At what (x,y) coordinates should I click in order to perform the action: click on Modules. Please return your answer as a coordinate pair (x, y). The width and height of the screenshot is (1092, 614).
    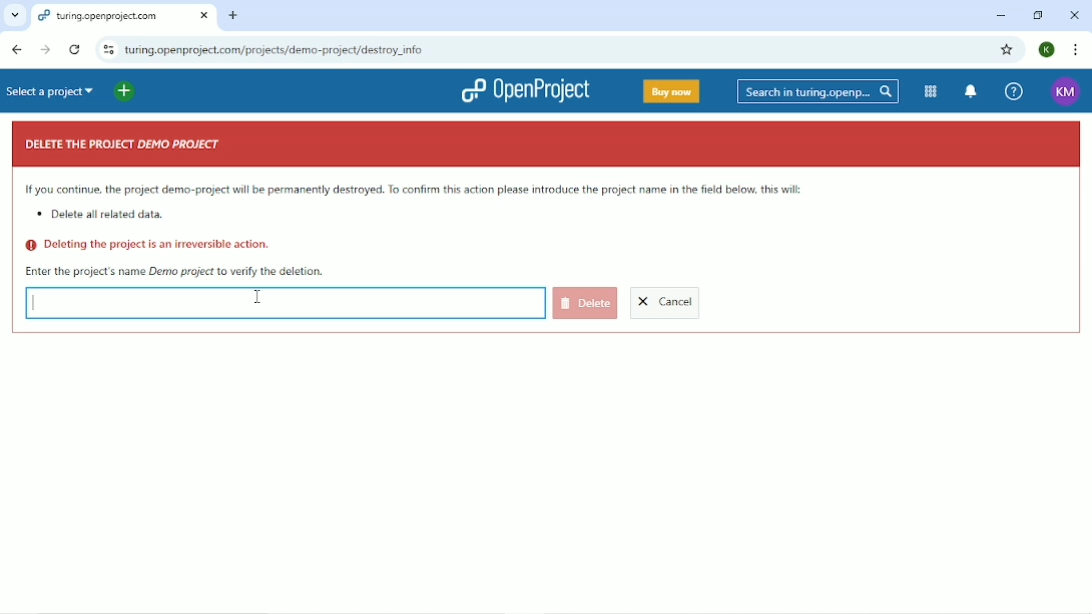
    Looking at the image, I should click on (931, 91).